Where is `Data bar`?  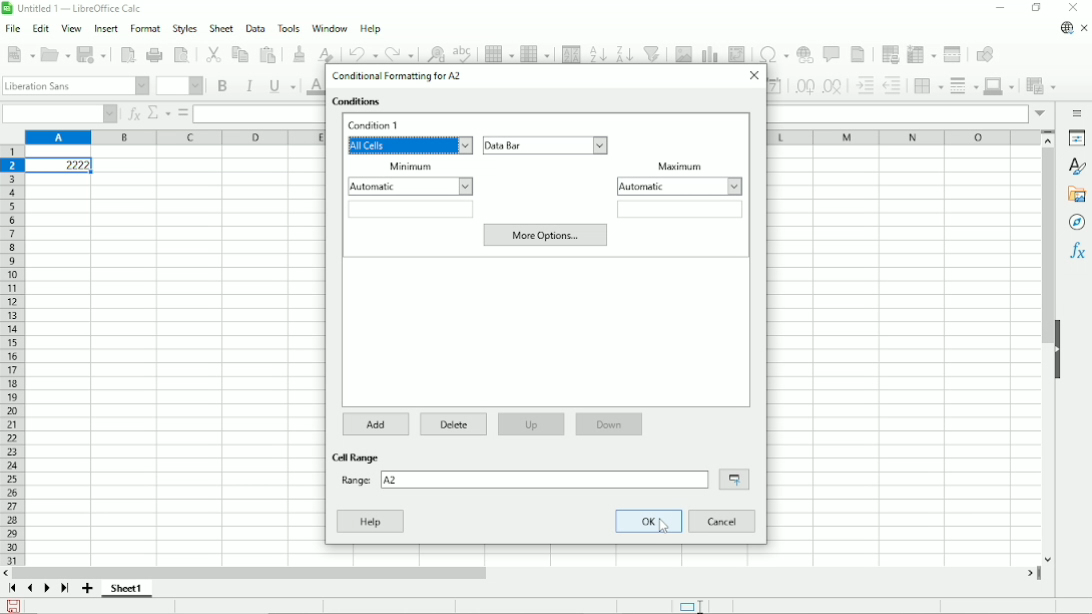 Data bar is located at coordinates (546, 145).